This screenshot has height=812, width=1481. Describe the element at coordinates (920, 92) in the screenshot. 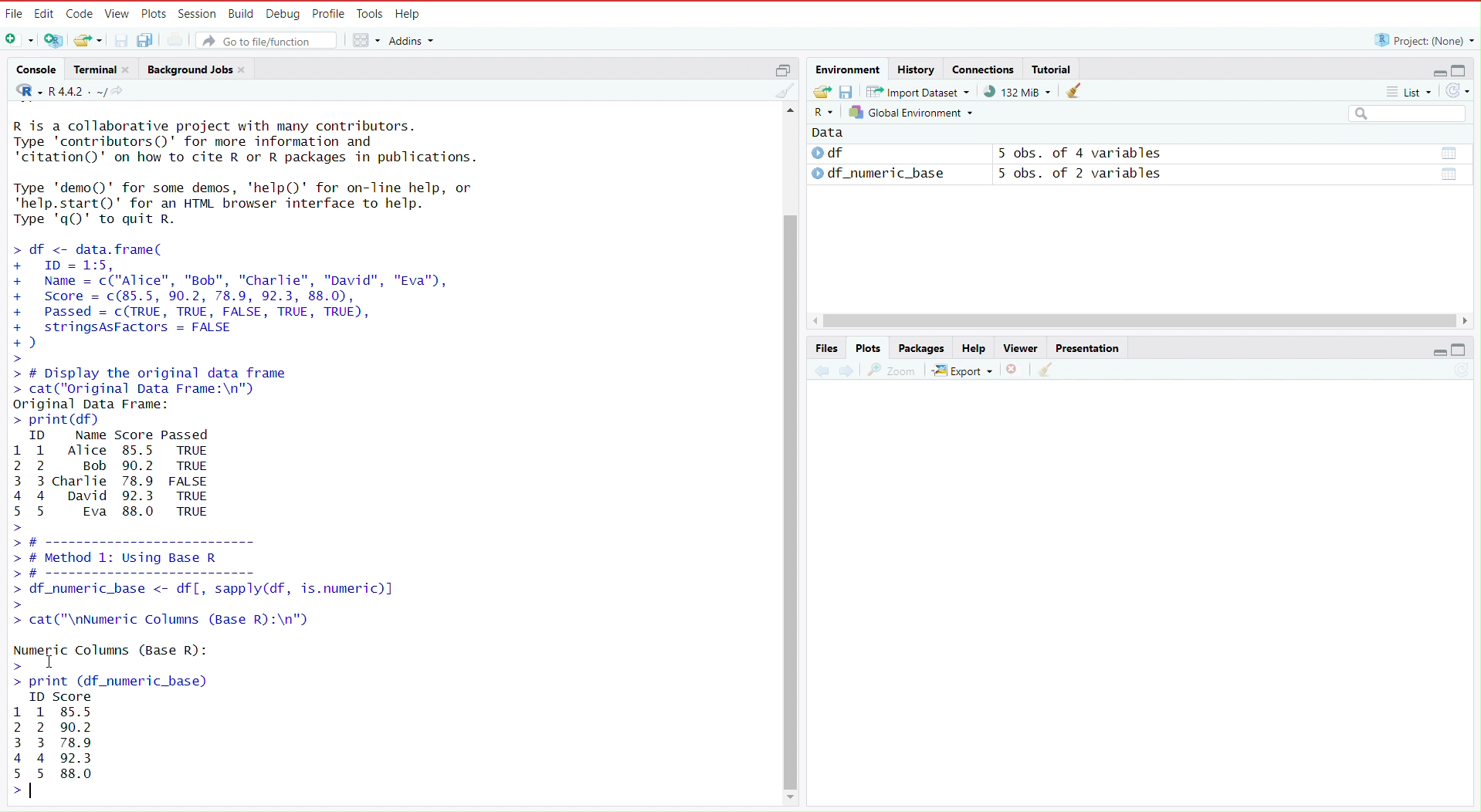

I see `Import dataset` at that location.